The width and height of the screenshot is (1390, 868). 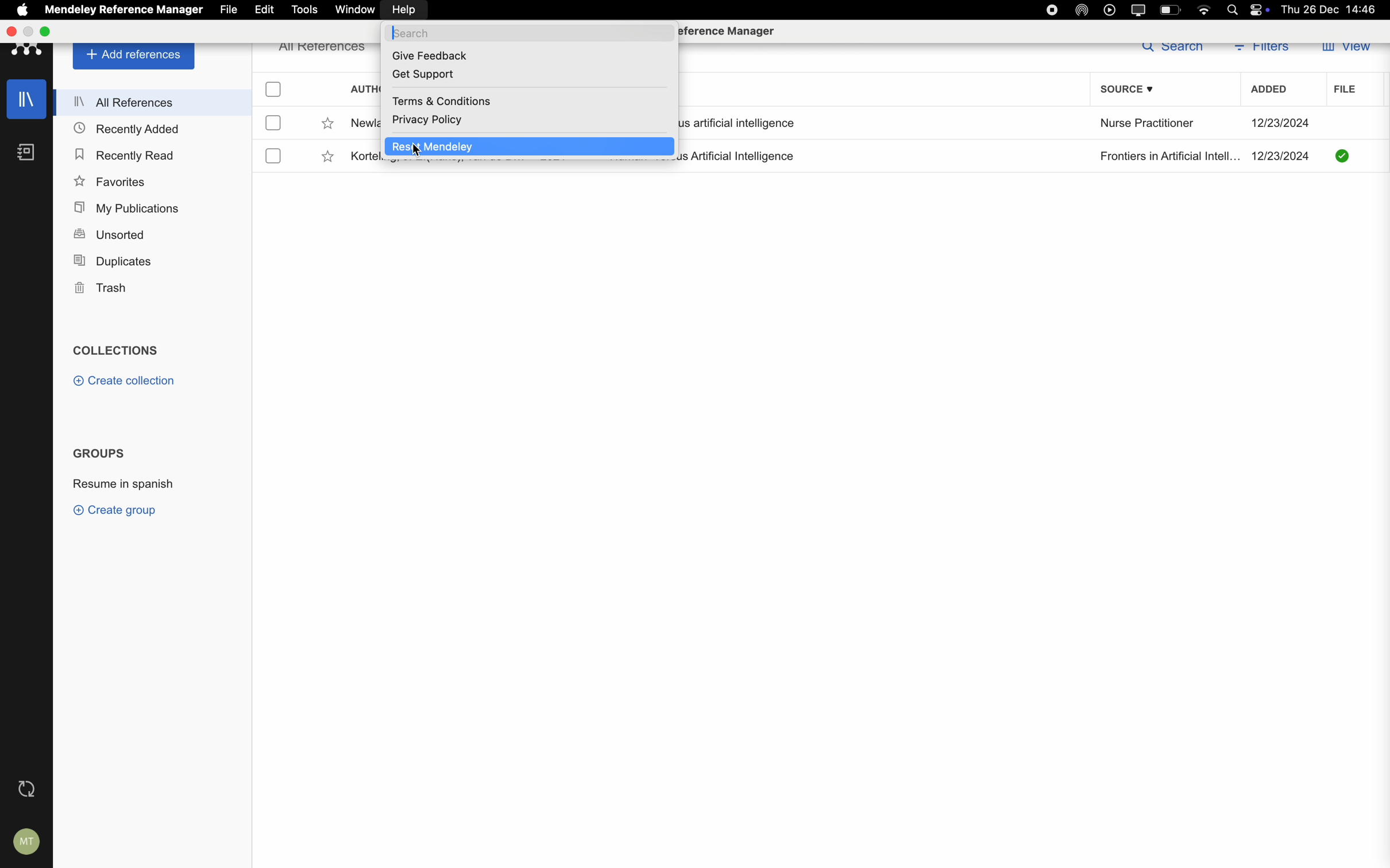 What do you see at coordinates (26, 51) in the screenshot?
I see `Mendeley logo` at bounding box center [26, 51].